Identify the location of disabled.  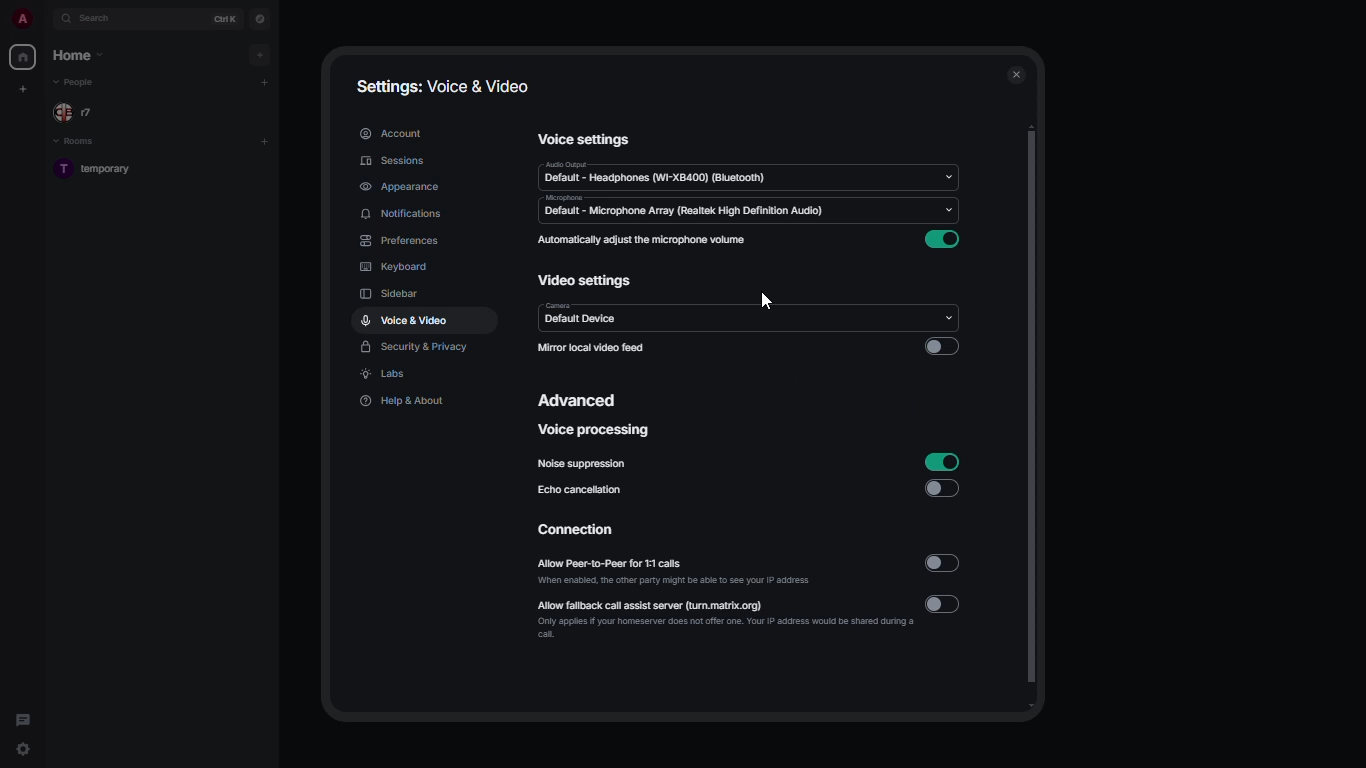
(941, 487).